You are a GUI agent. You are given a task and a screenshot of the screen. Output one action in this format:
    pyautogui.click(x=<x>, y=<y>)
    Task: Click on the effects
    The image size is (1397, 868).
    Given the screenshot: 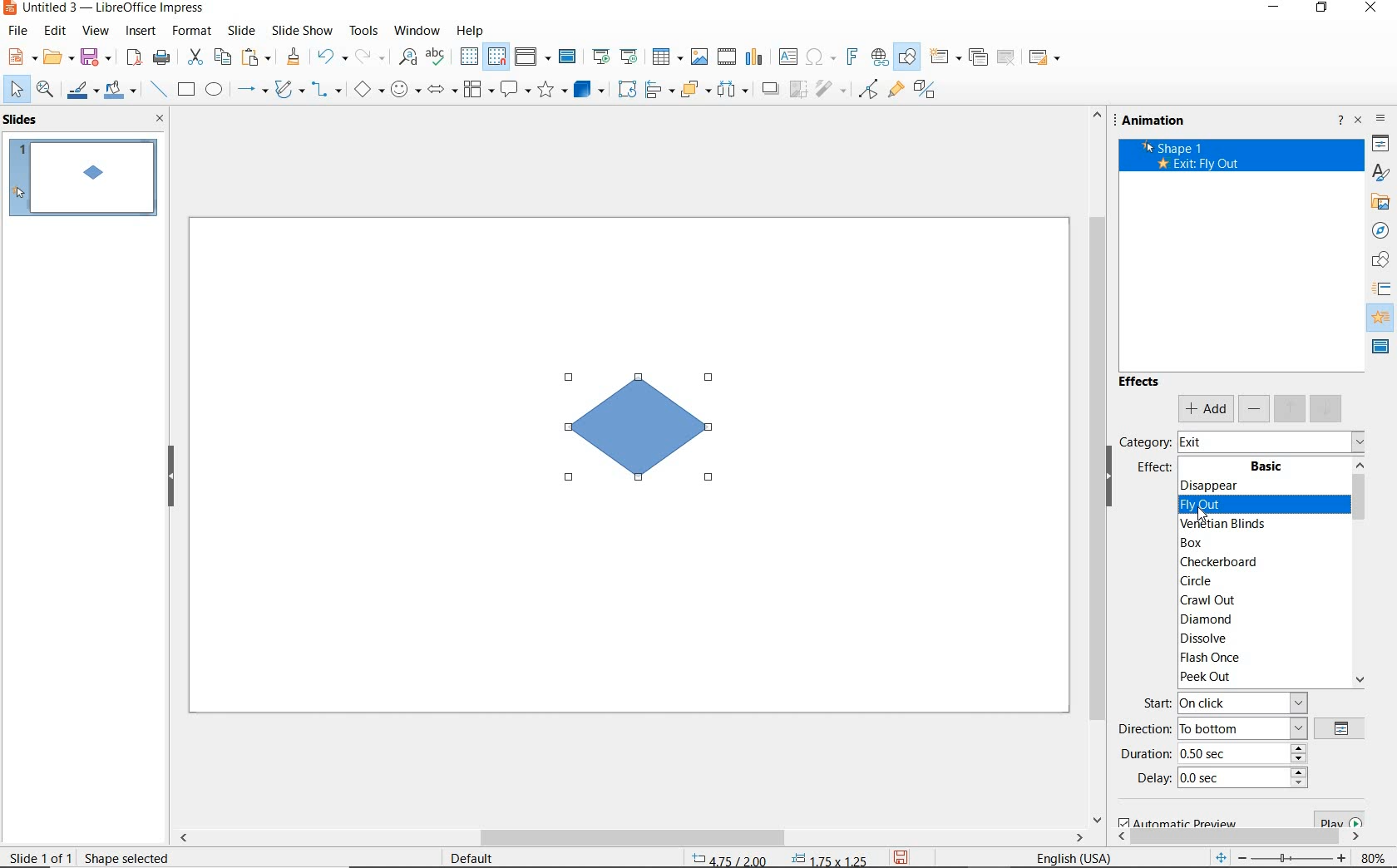 What is the action you would take?
    pyautogui.click(x=1141, y=381)
    